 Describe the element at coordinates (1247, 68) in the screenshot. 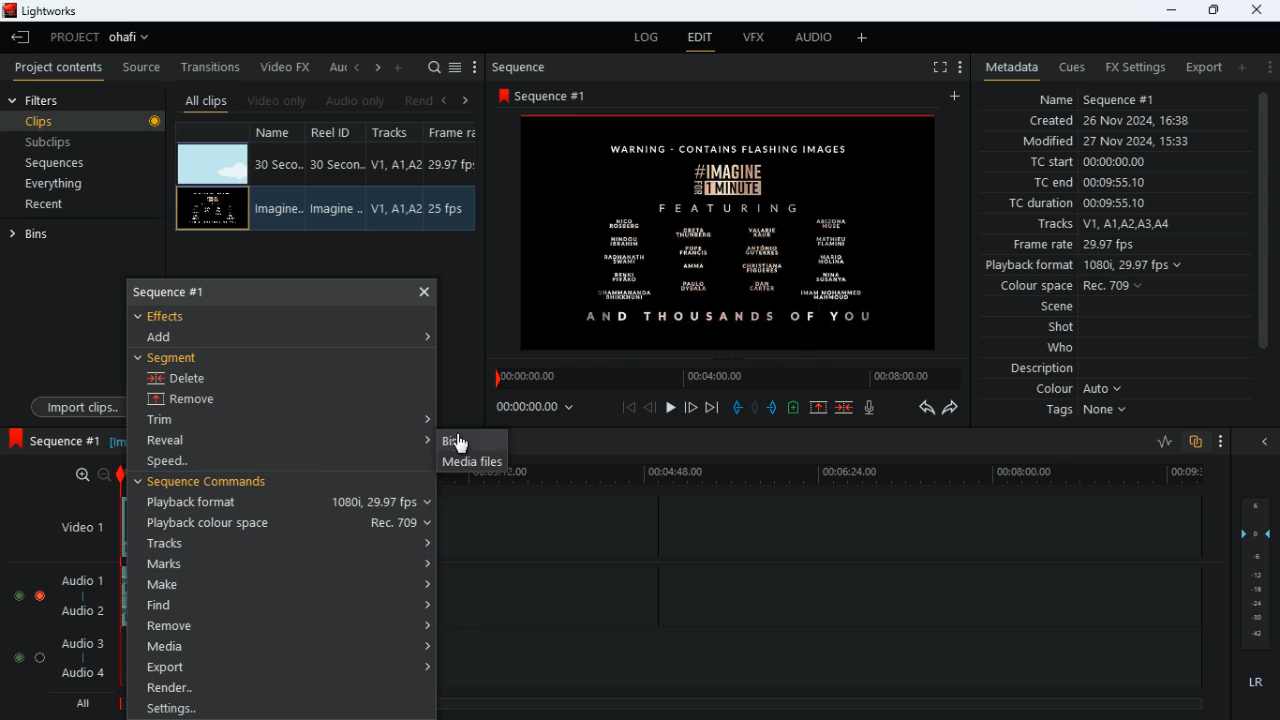

I see `add` at that location.